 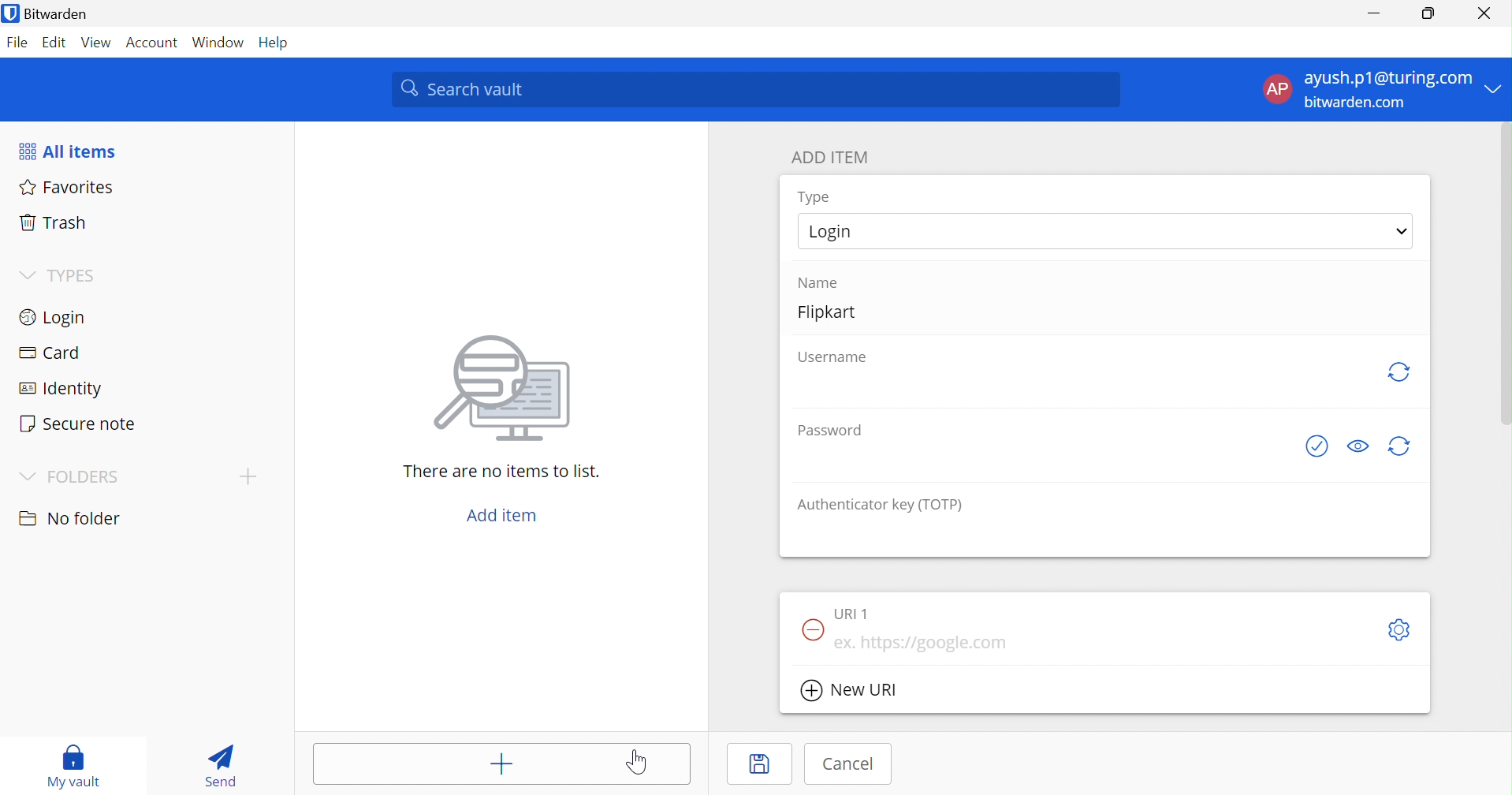 I want to click on Type, so click(x=814, y=197).